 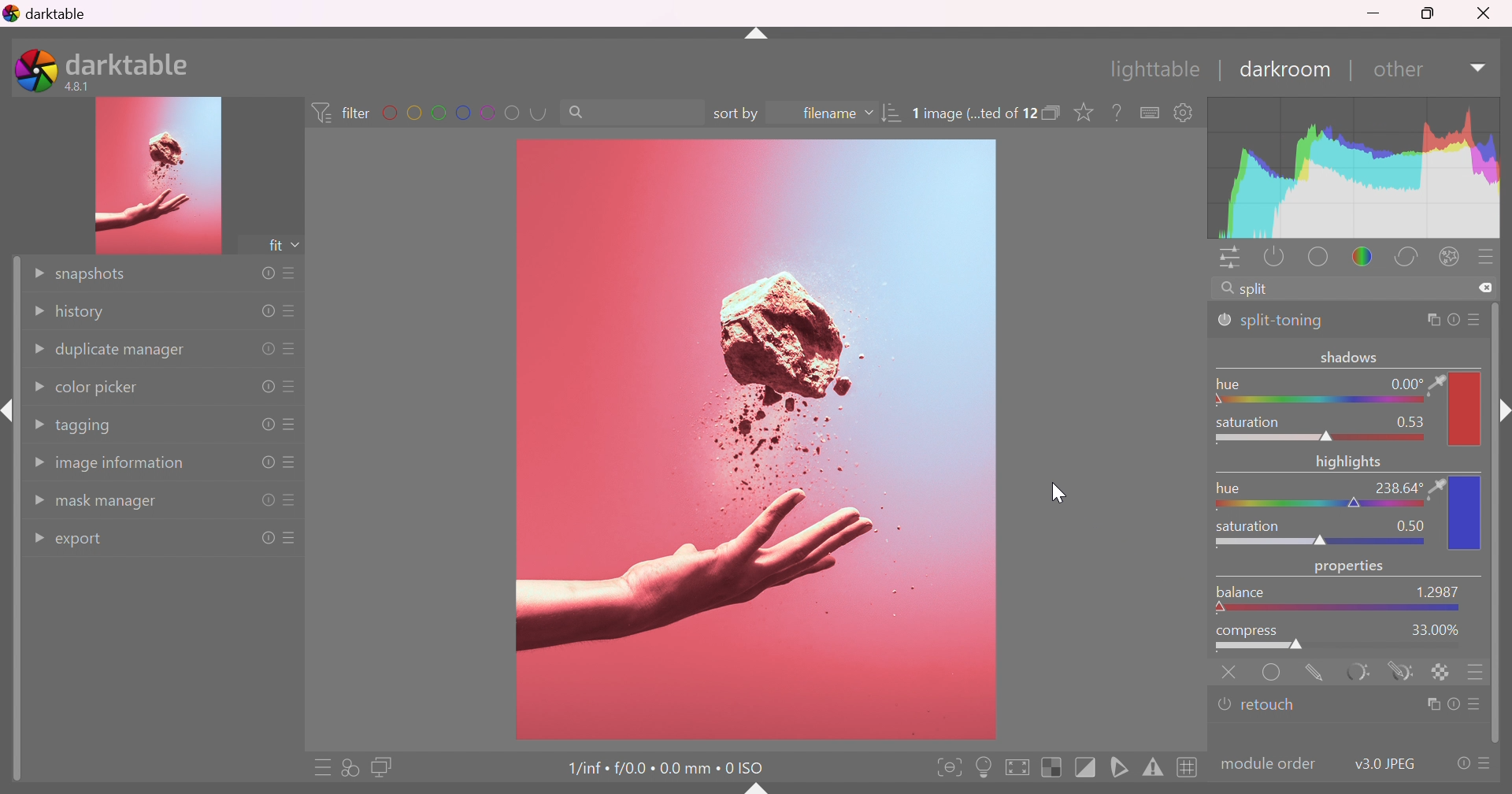 What do you see at coordinates (1437, 592) in the screenshot?
I see `45.7792` at bounding box center [1437, 592].